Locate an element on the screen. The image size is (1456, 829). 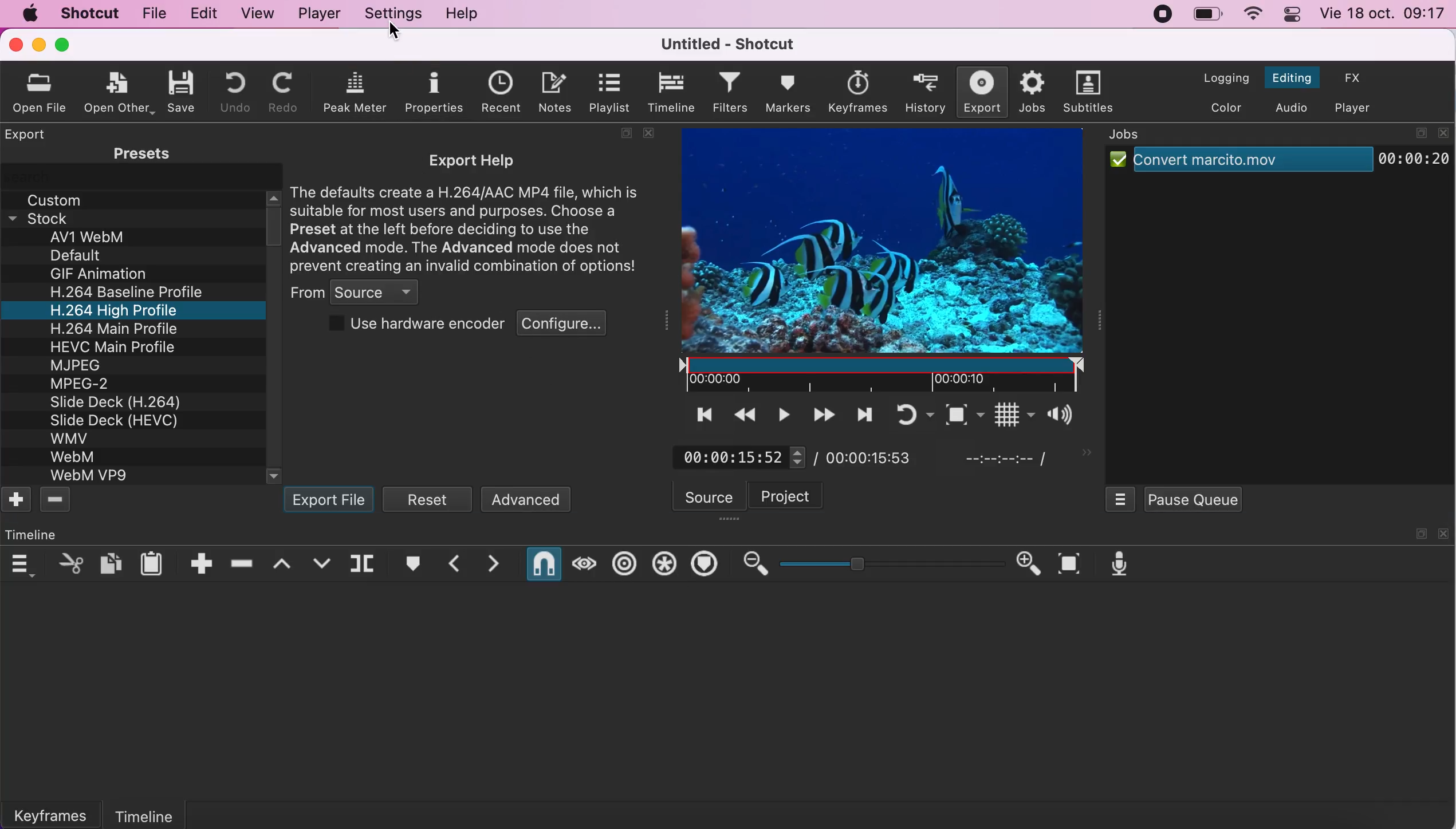
H.264 Baseline Profile is located at coordinates (132, 291).